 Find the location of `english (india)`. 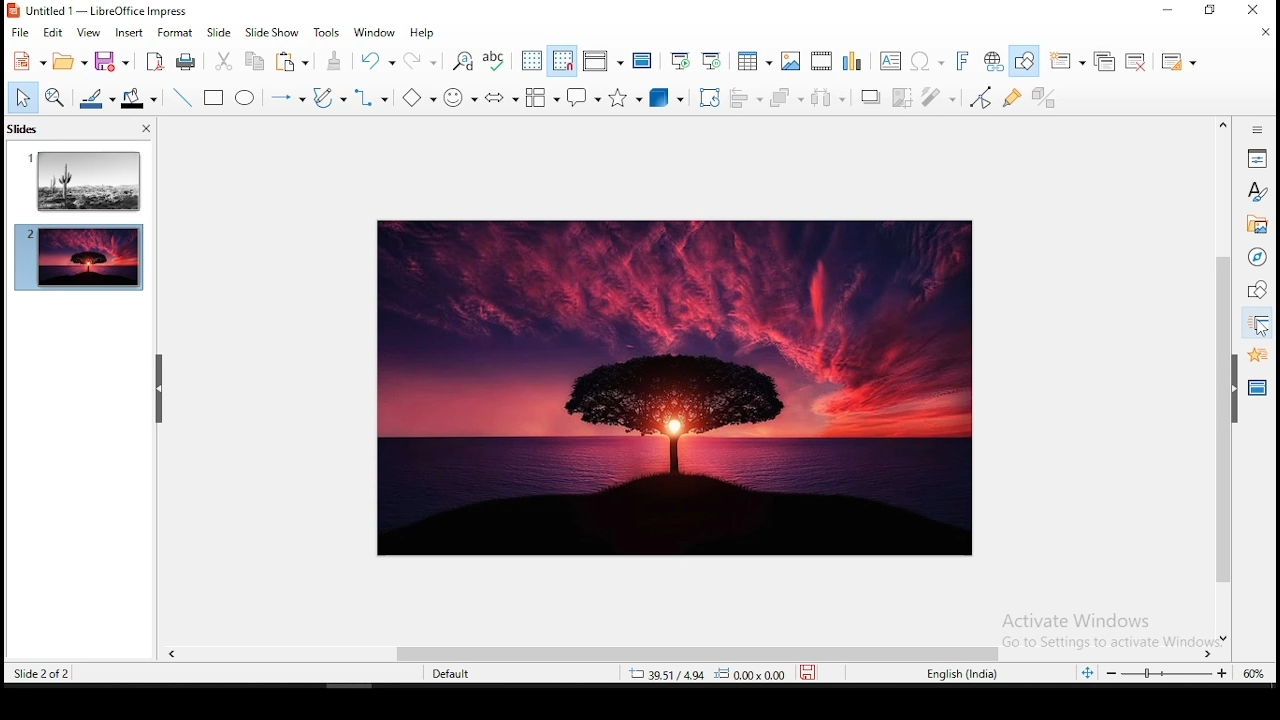

english (india) is located at coordinates (961, 674).